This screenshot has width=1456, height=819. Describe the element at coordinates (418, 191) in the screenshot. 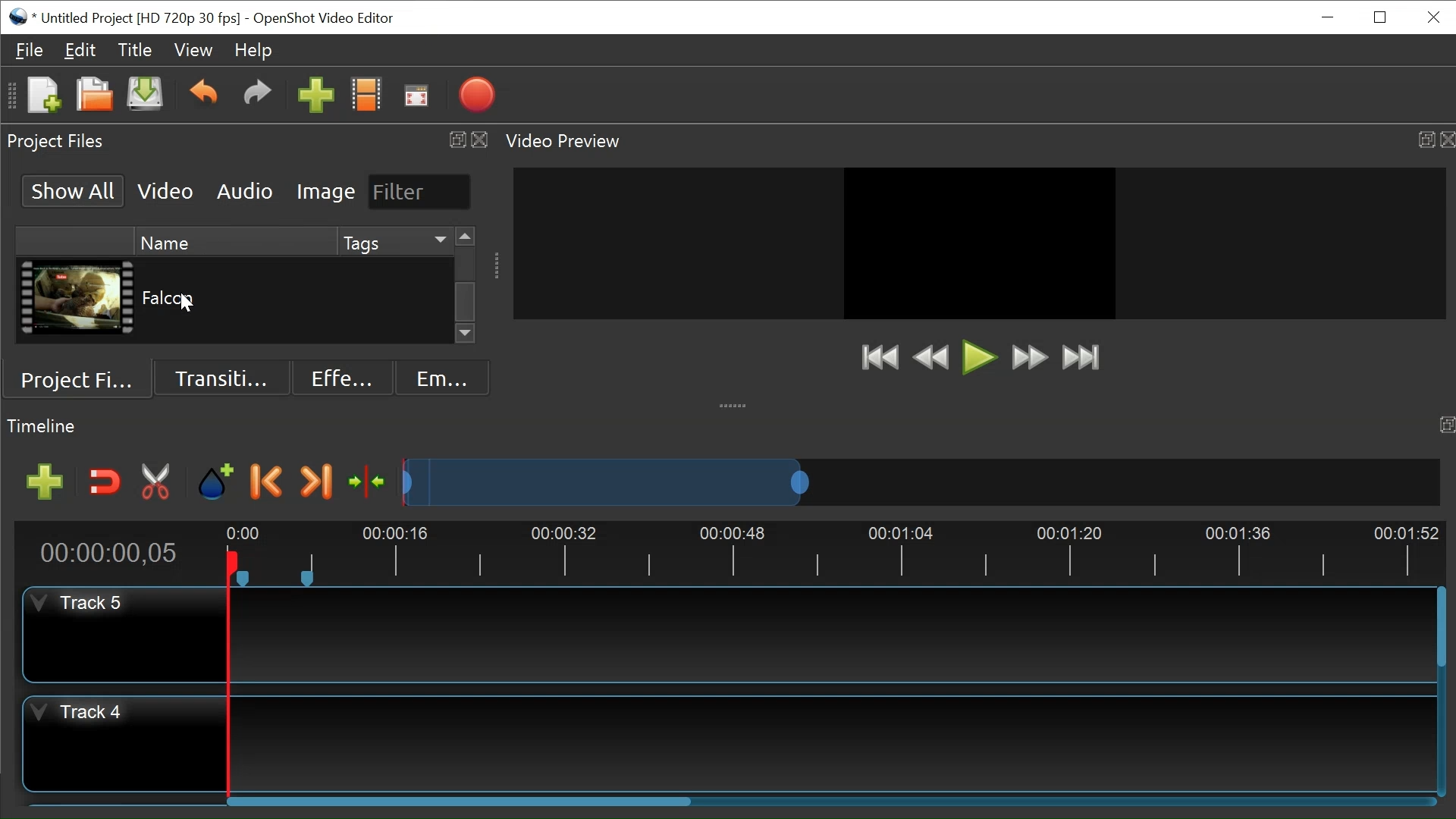

I see `Filter` at that location.